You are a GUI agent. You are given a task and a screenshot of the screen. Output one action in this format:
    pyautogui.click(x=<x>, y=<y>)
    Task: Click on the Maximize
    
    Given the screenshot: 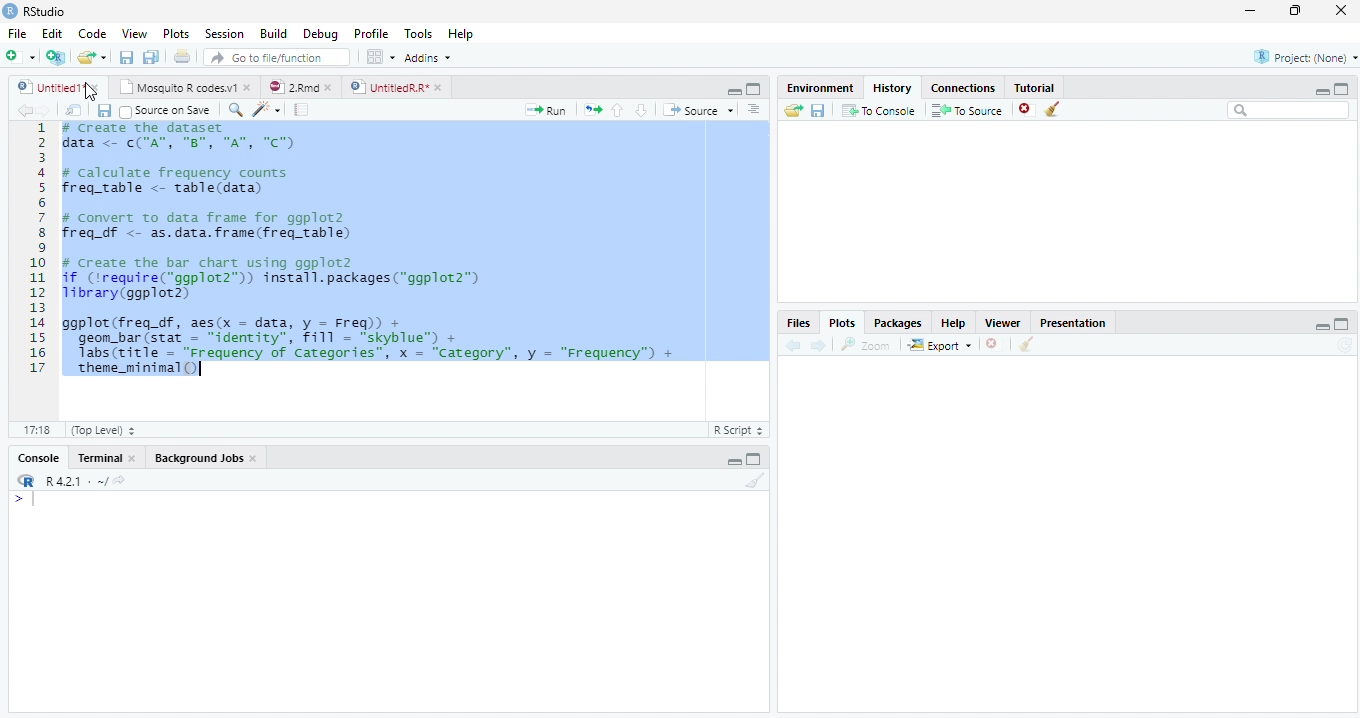 What is the action you would take?
    pyautogui.click(x=1343, y=324)
    